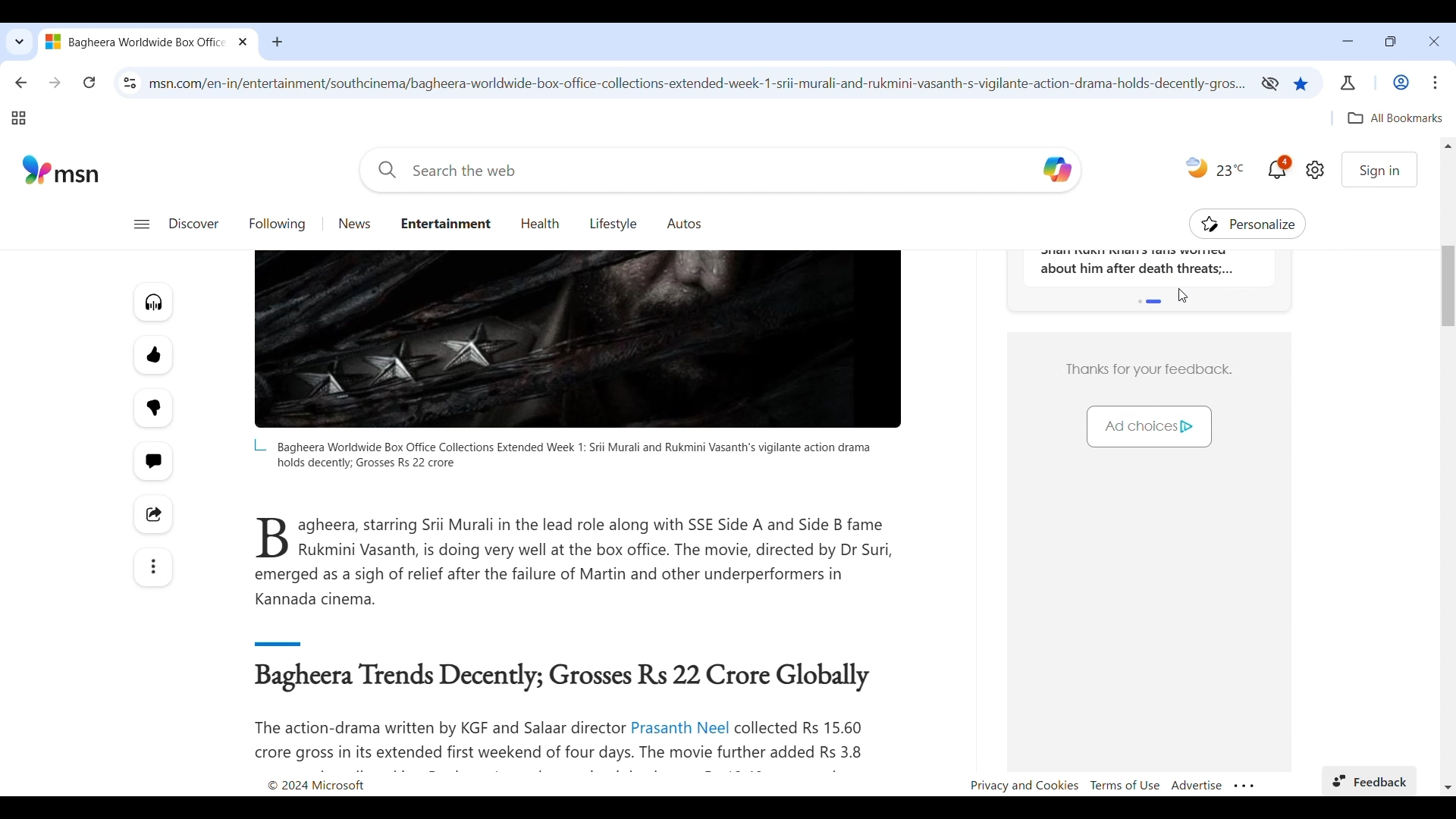  What do you see at coordinates (278, 224) in the screenshot?
I see `Go to following page` at bounding box center [278, 224].